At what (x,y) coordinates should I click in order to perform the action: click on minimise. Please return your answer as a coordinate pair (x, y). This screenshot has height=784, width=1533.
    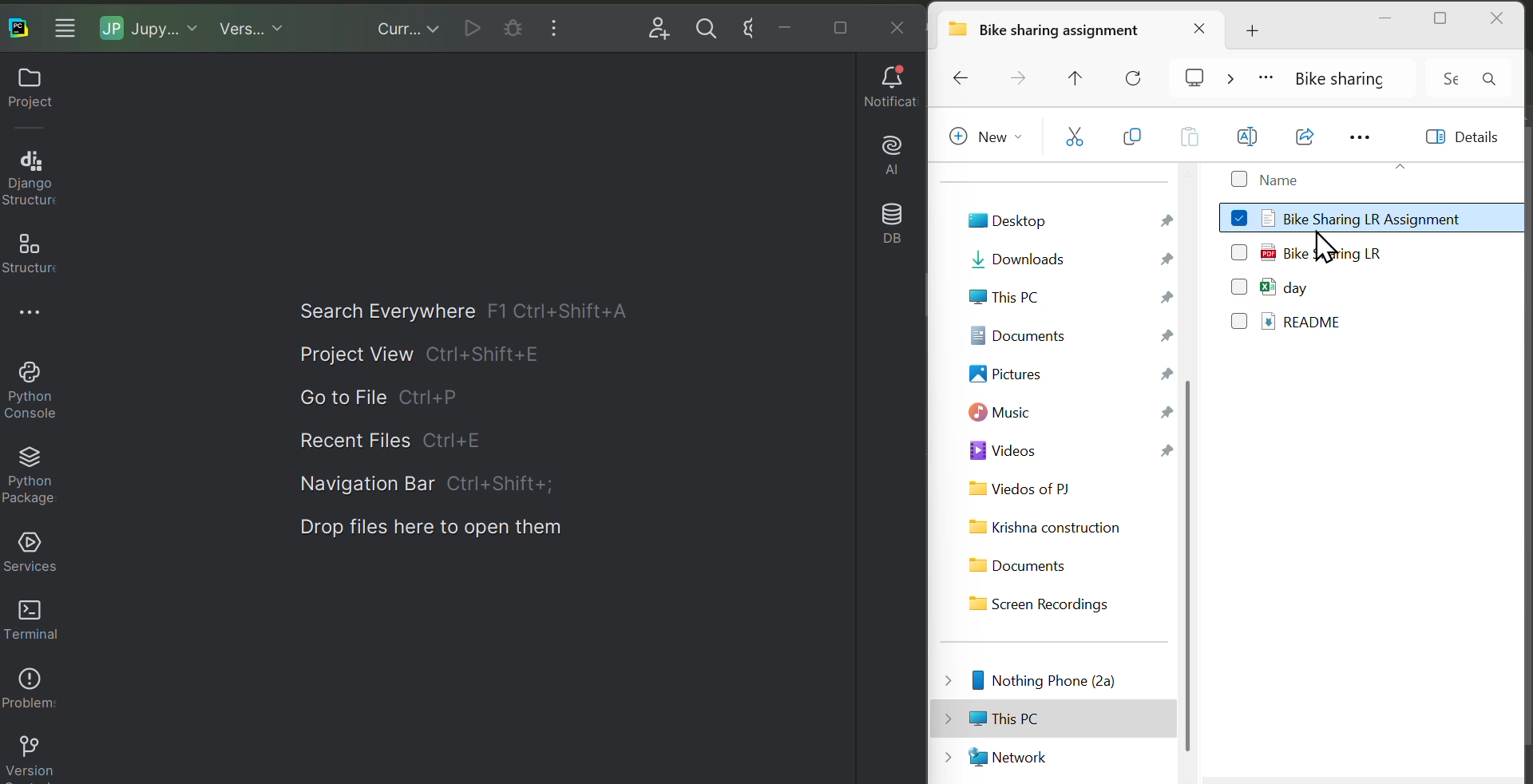
    Looking at the image, I should click on (788, 27).